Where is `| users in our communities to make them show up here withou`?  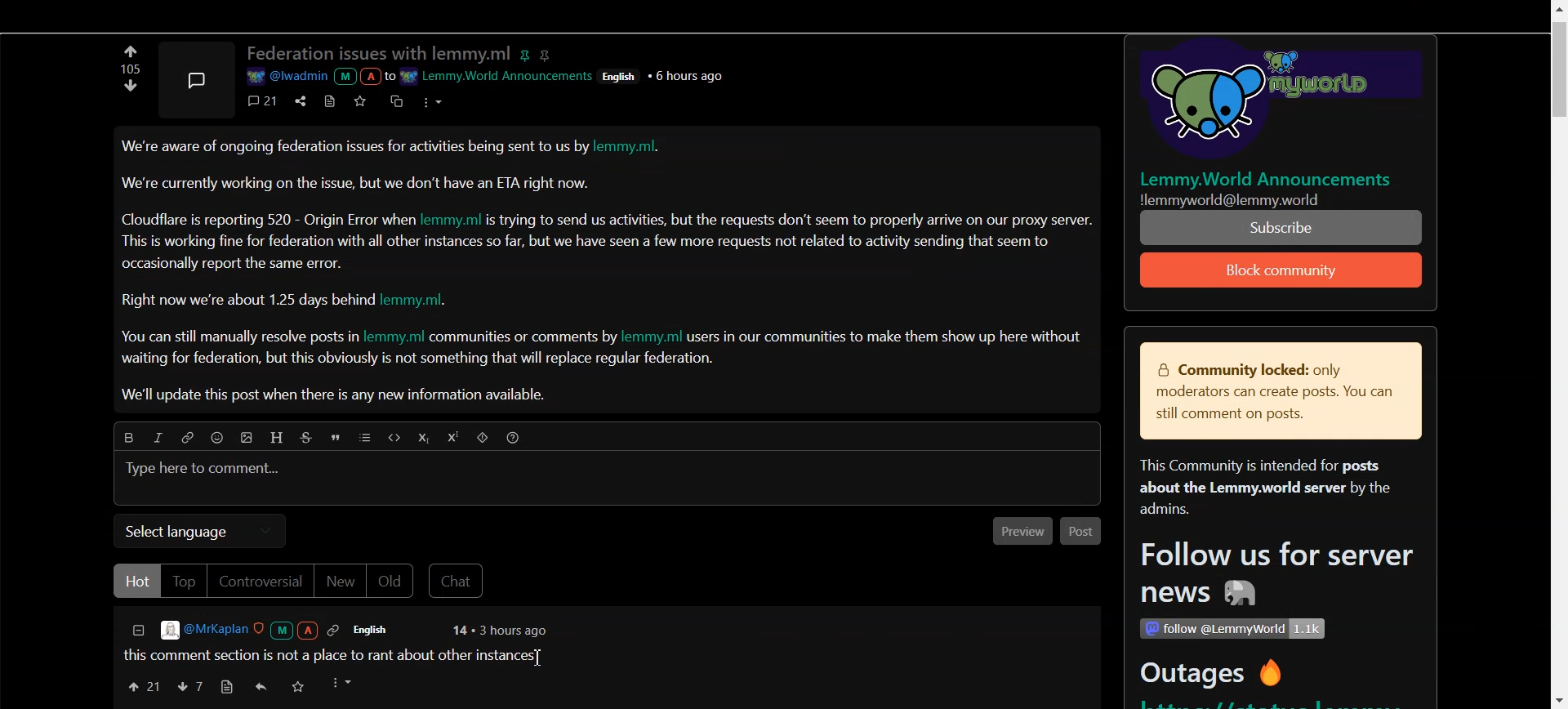 | users in our communities to make them show up here withou is located at coordinates (884, 337).